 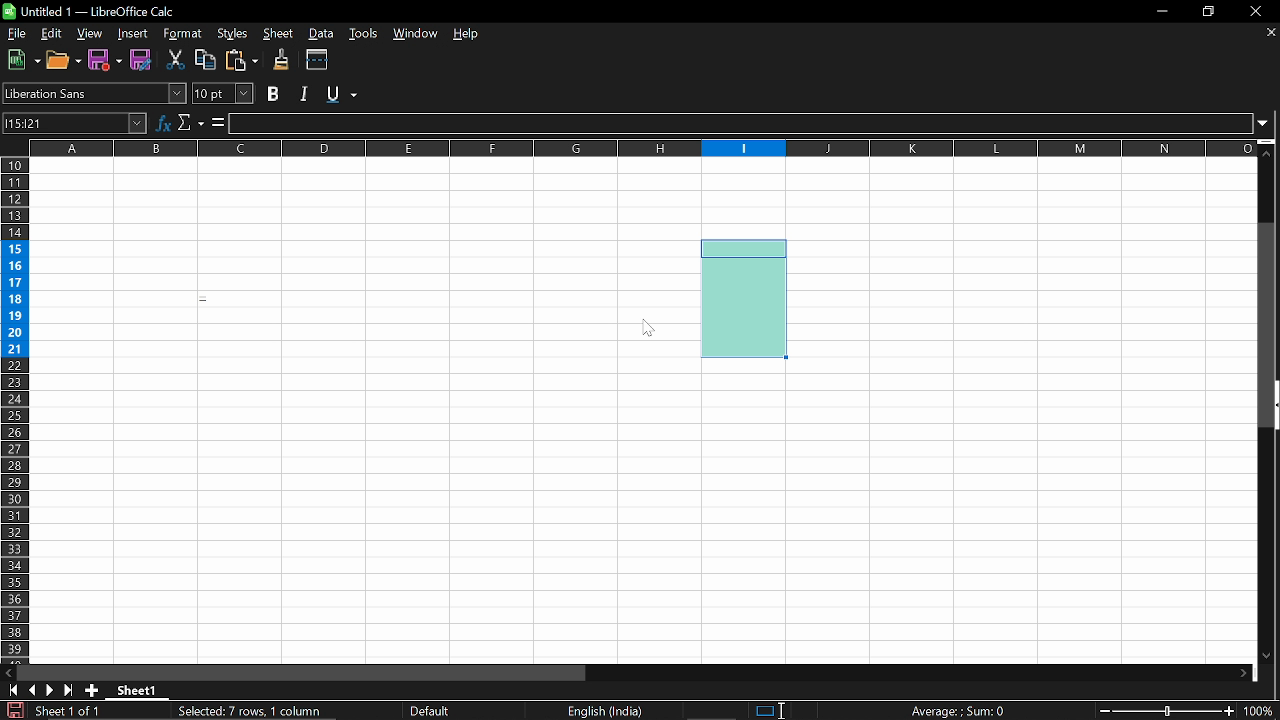 I want to click on Columns, so click(x=642, y=148).